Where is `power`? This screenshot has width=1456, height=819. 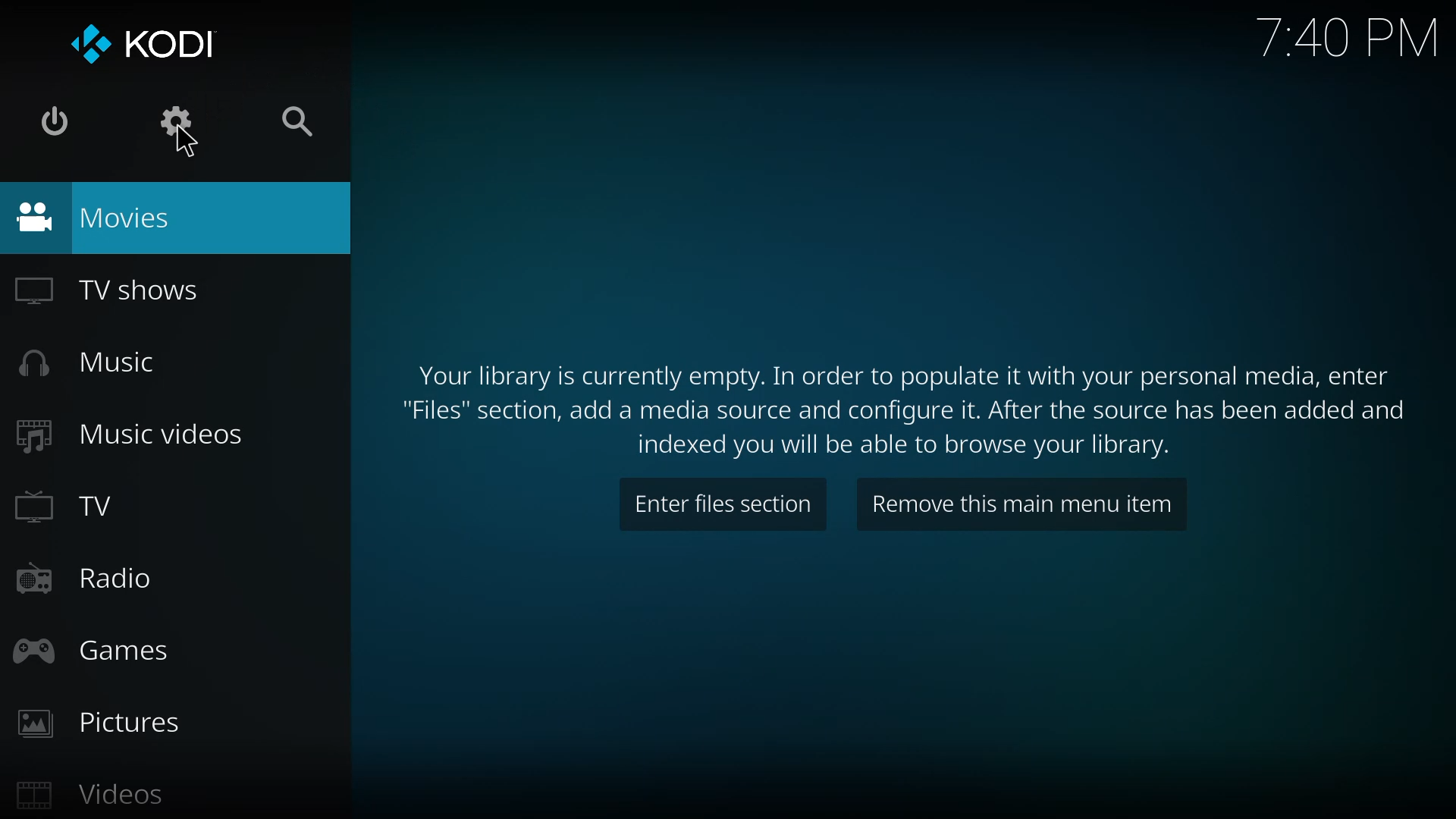 power is located at coordinates (51, 119).